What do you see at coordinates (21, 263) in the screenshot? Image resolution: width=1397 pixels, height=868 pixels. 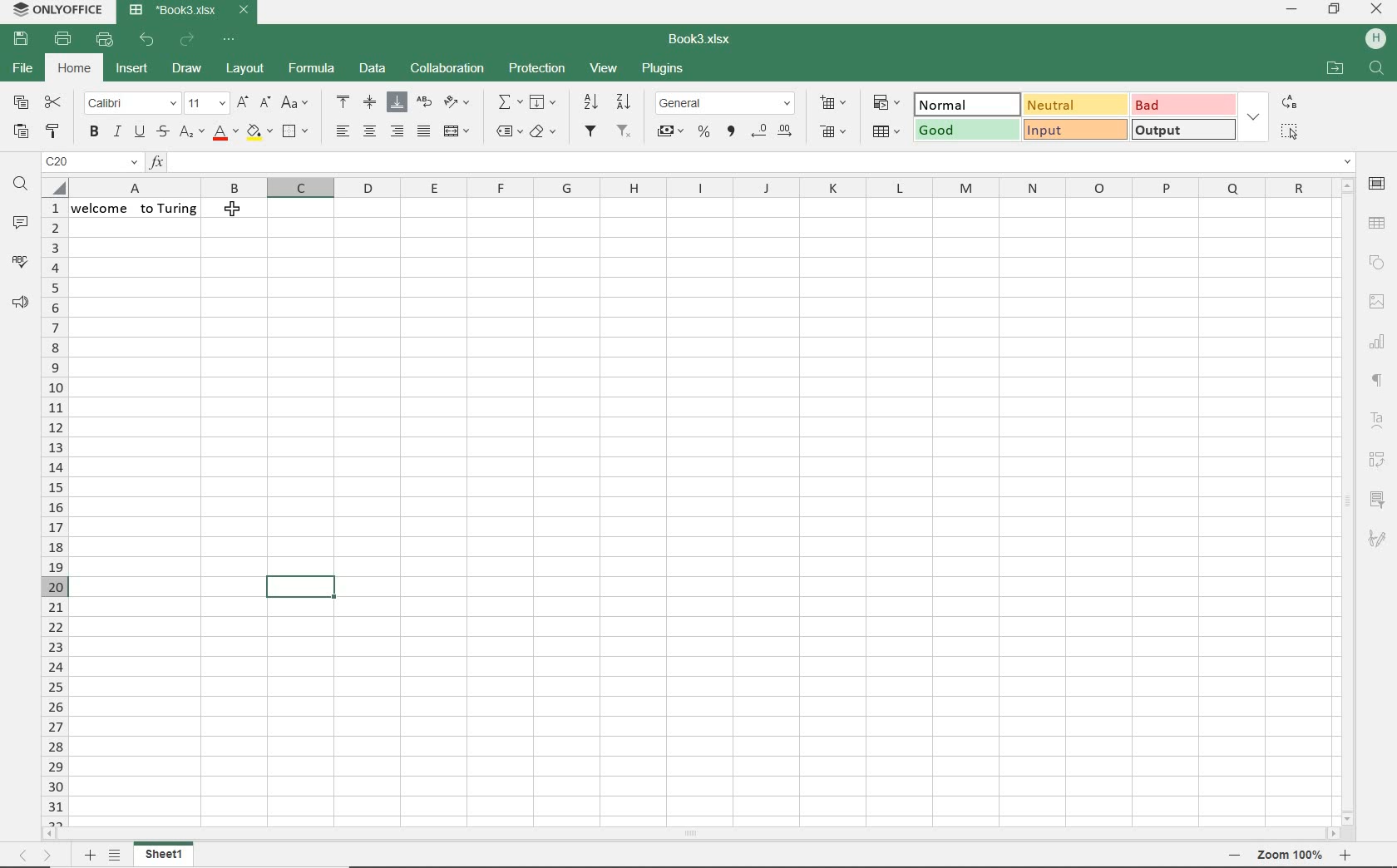 I see `spell checking` at bounding box center [21, 263].